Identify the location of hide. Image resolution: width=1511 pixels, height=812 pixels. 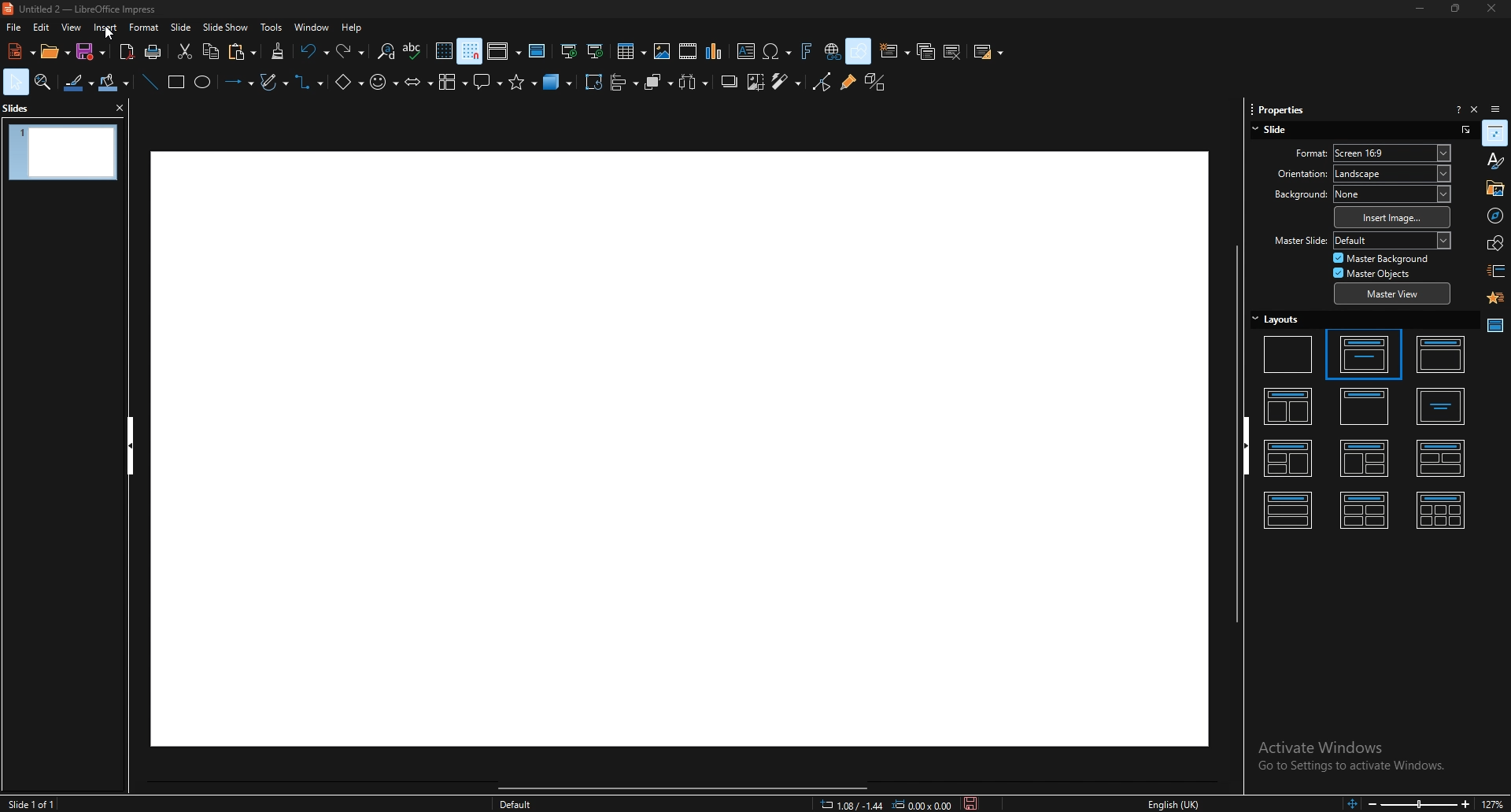
(130, 446).